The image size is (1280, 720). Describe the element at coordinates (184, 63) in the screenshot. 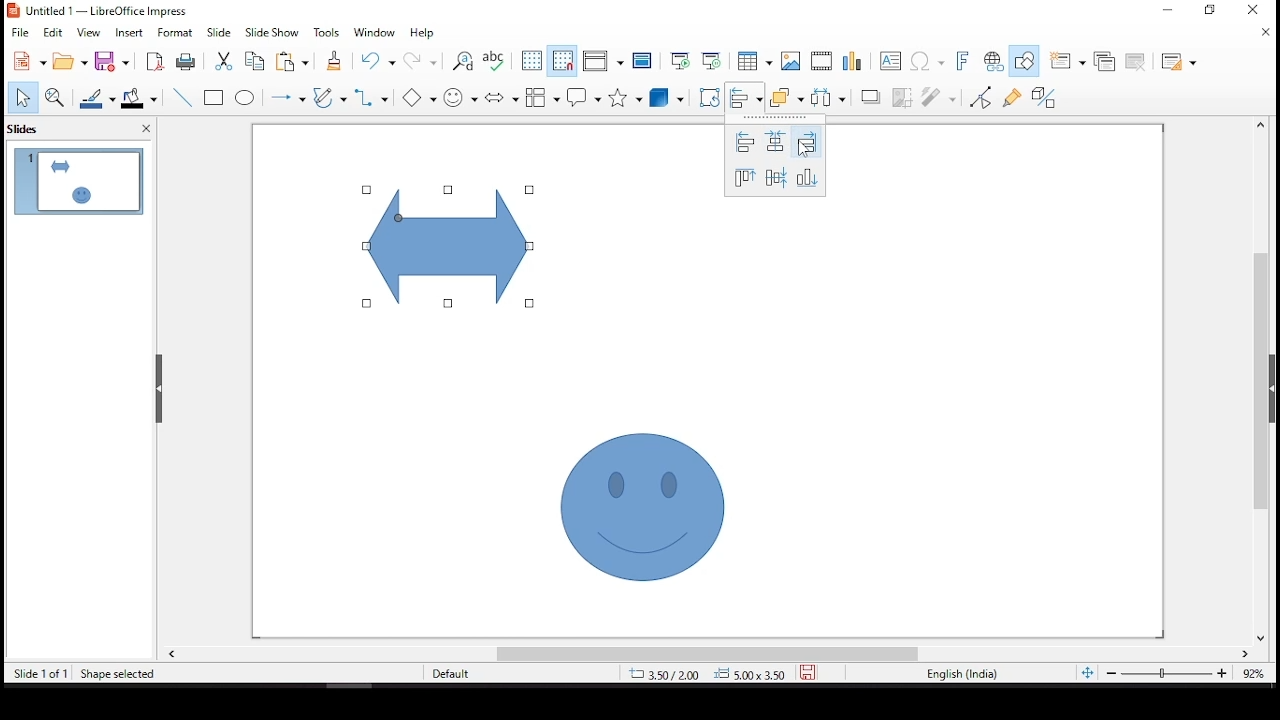

I see `print` at that location.